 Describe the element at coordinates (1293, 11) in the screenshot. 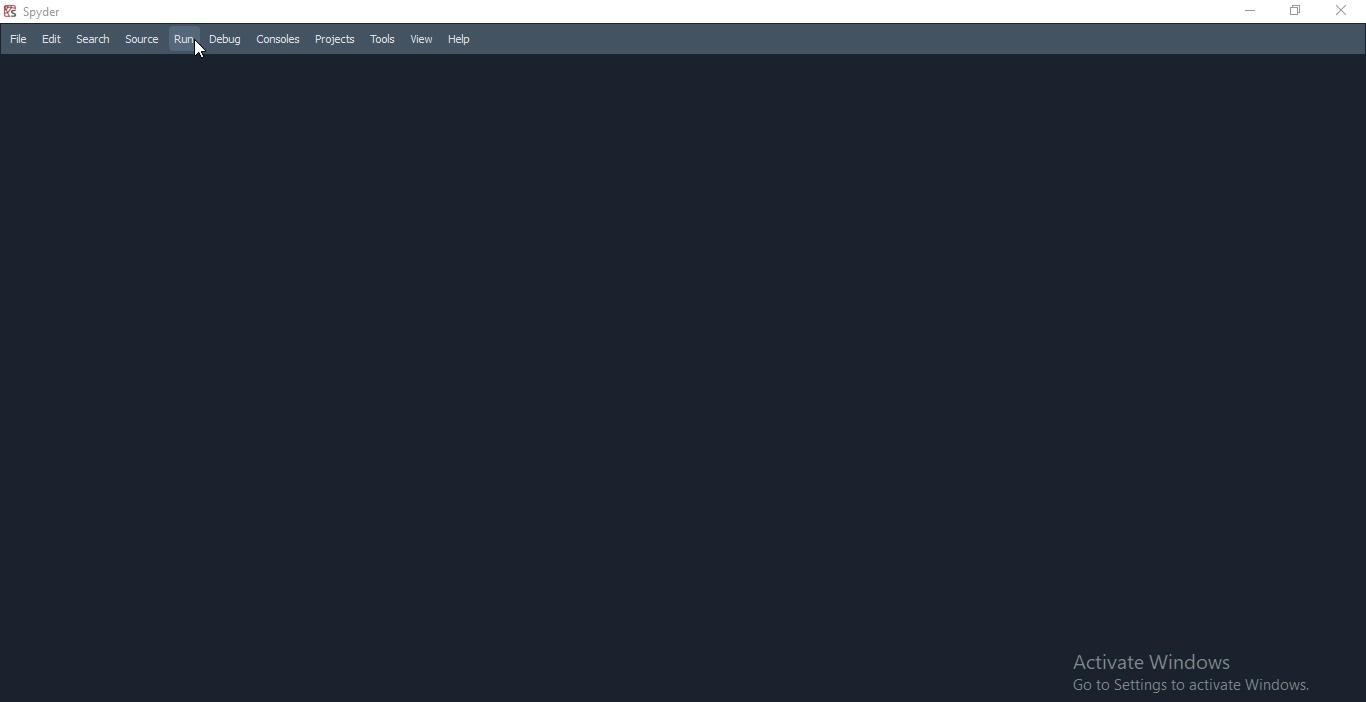

I see `Restore` at that location.